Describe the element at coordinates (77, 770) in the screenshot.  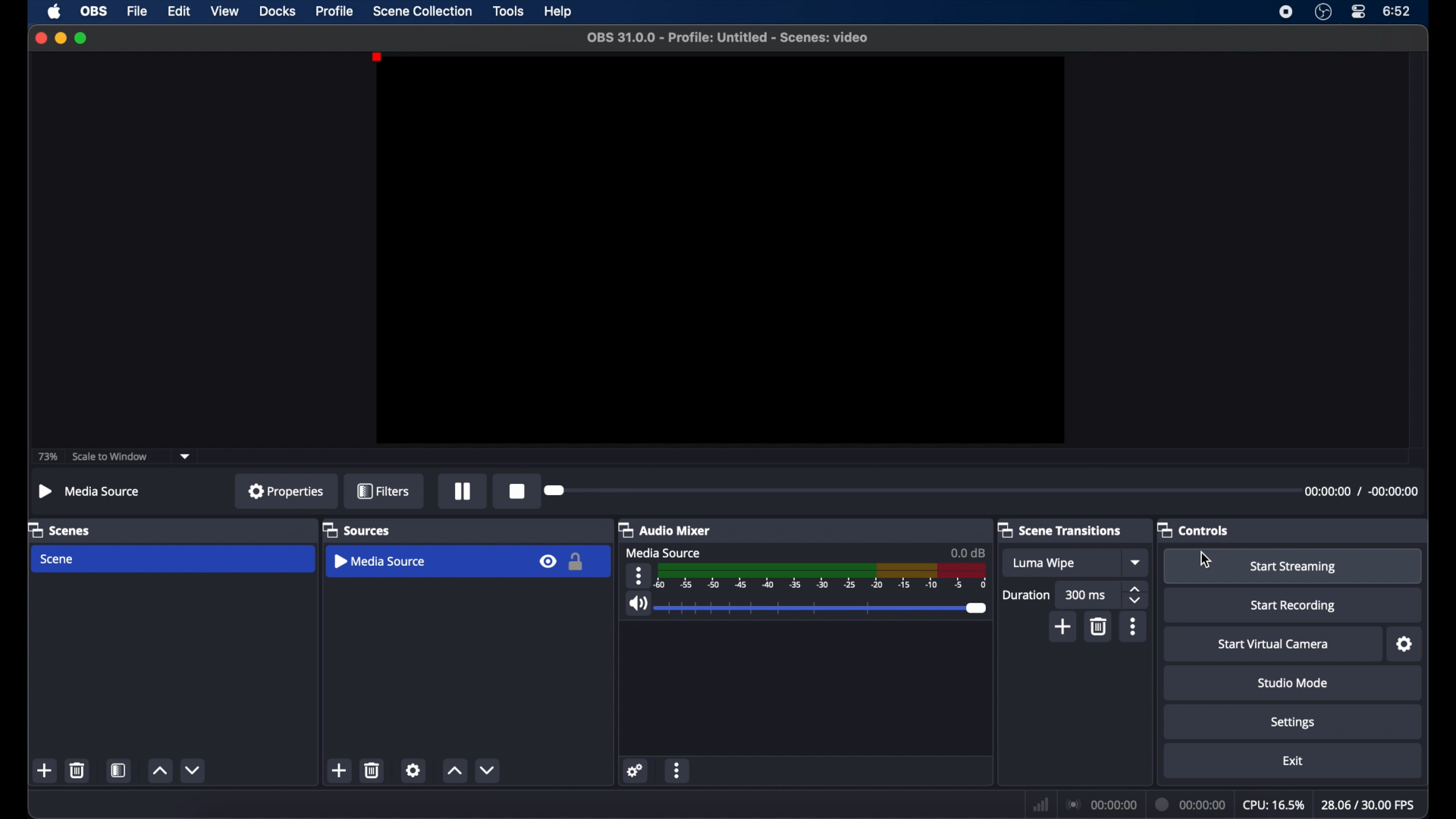
I see `delete` at that location.